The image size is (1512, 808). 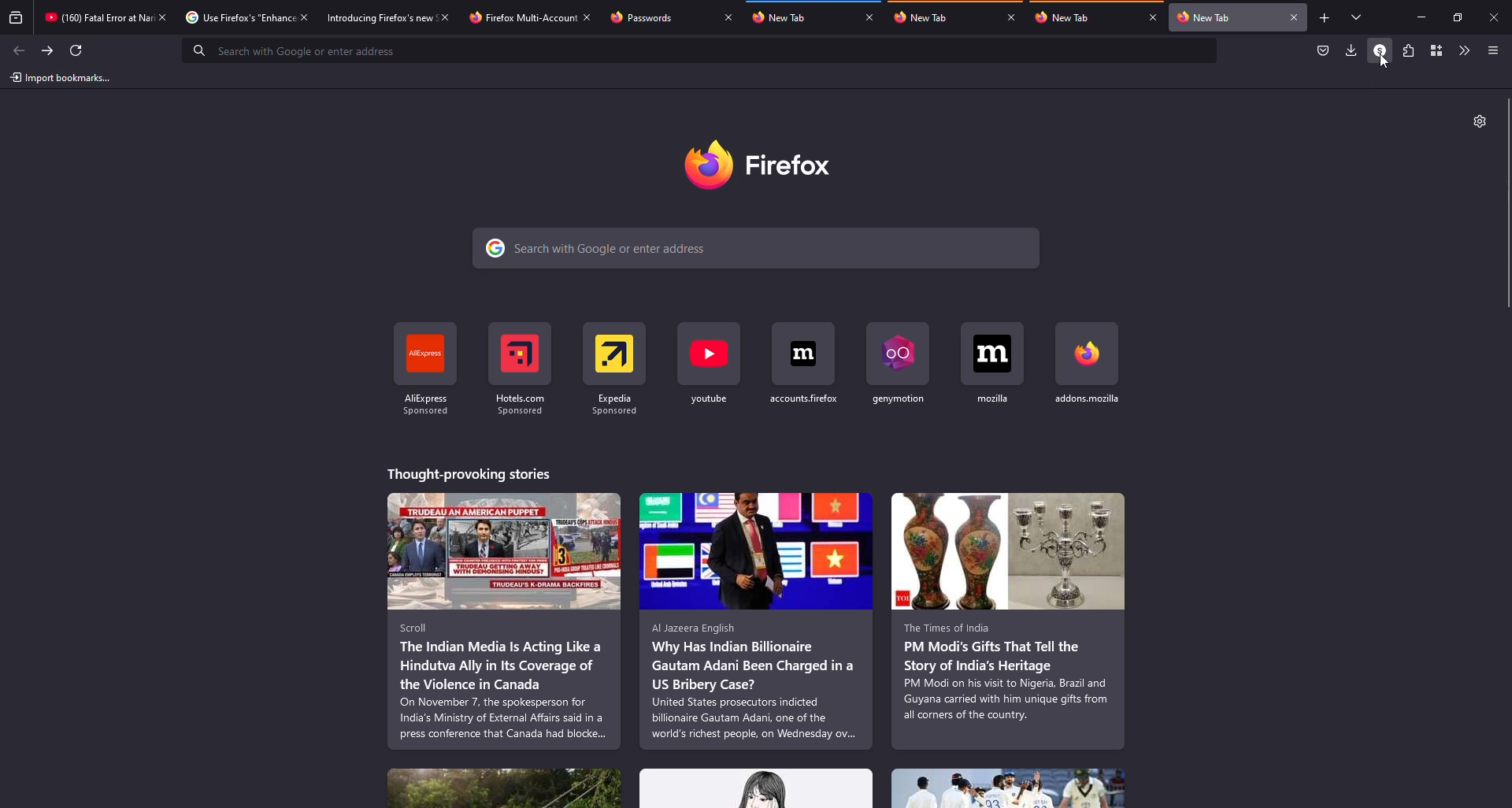 What do you see at coordinates (1422, 17) in the screenshot?
I see `miimize` at bounding box center [1422, 17].